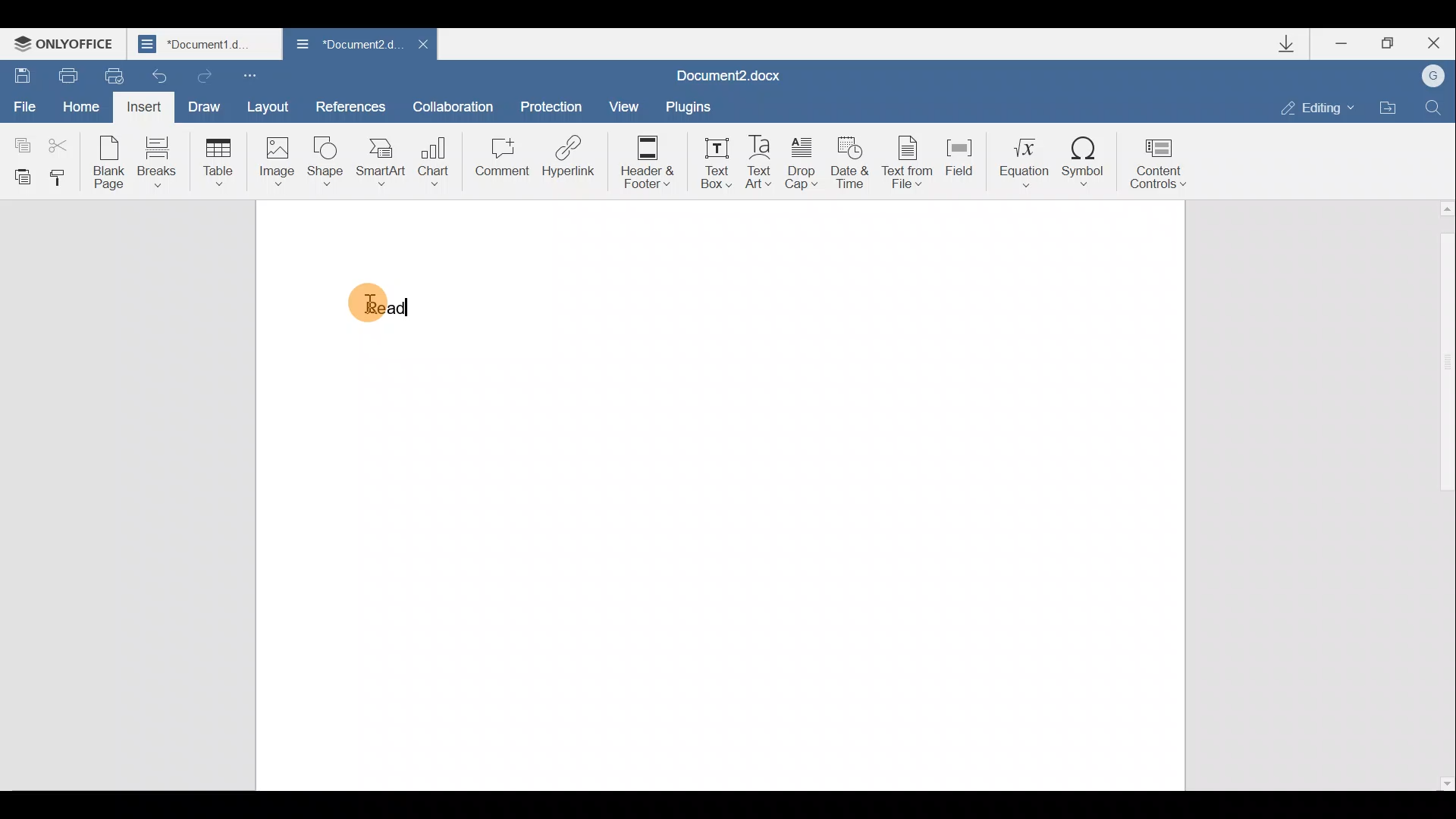  Describe the element at coordinates (1435, 105) in the screenshot. I see `Find` at that location.